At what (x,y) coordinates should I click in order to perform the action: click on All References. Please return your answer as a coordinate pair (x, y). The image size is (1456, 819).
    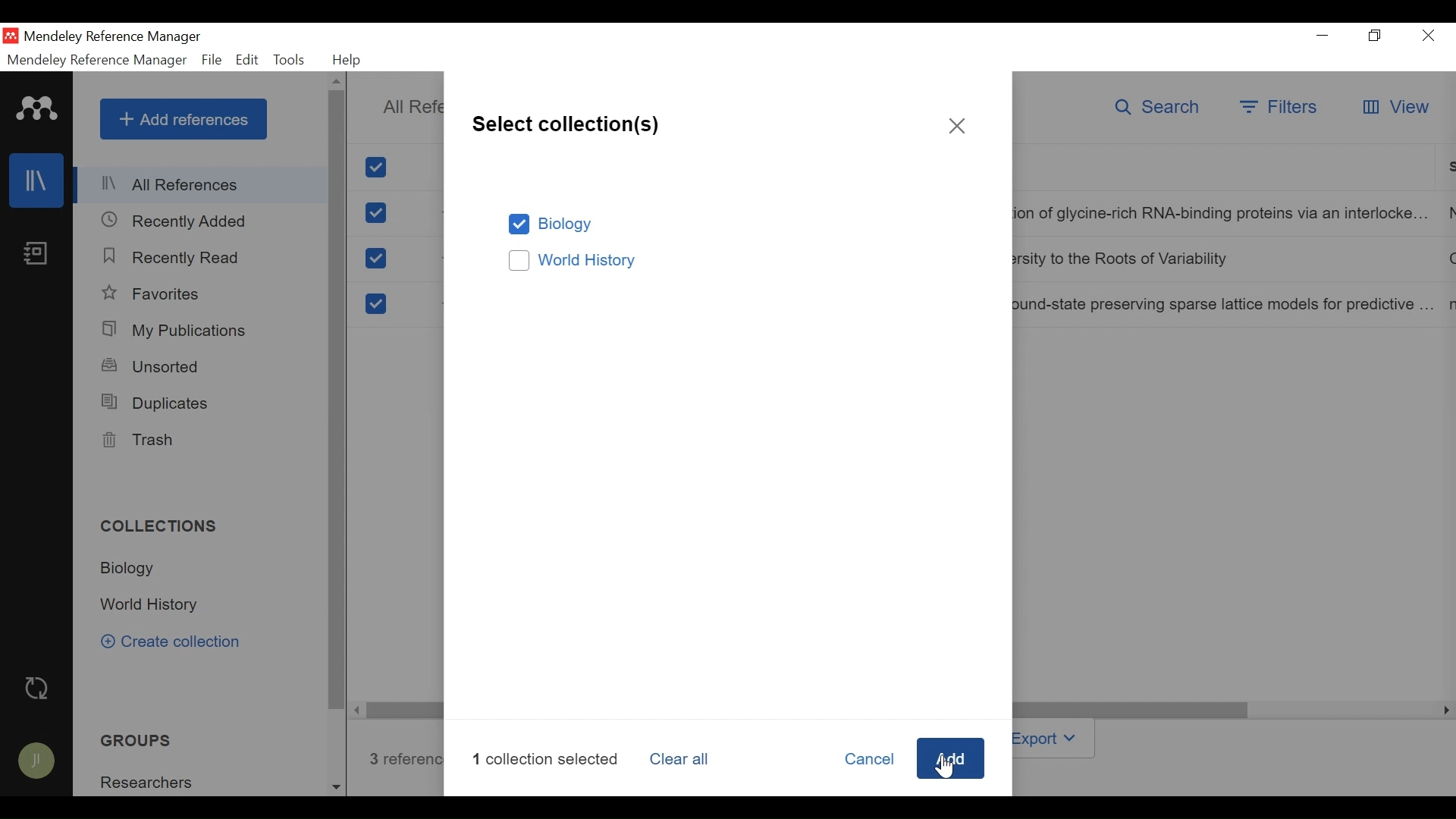
    Looking at the image, I should click on (202, 187).